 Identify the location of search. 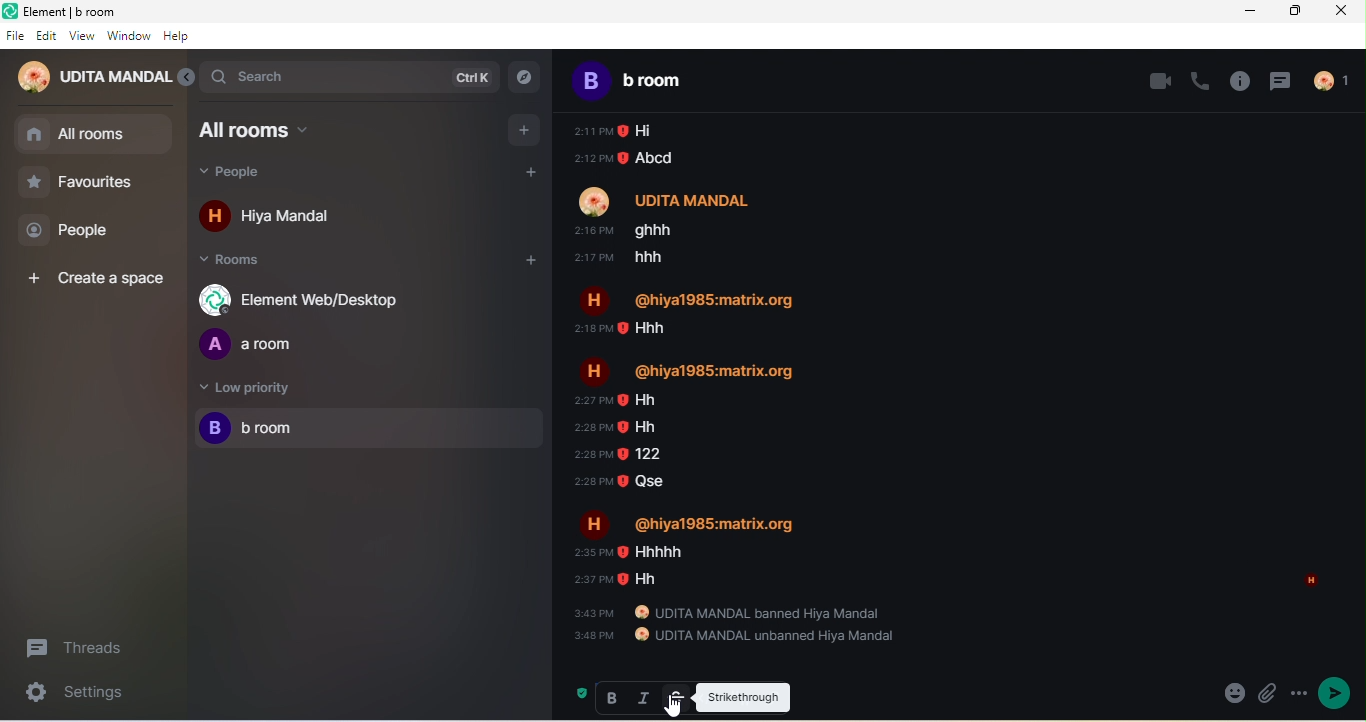
(350, 76).